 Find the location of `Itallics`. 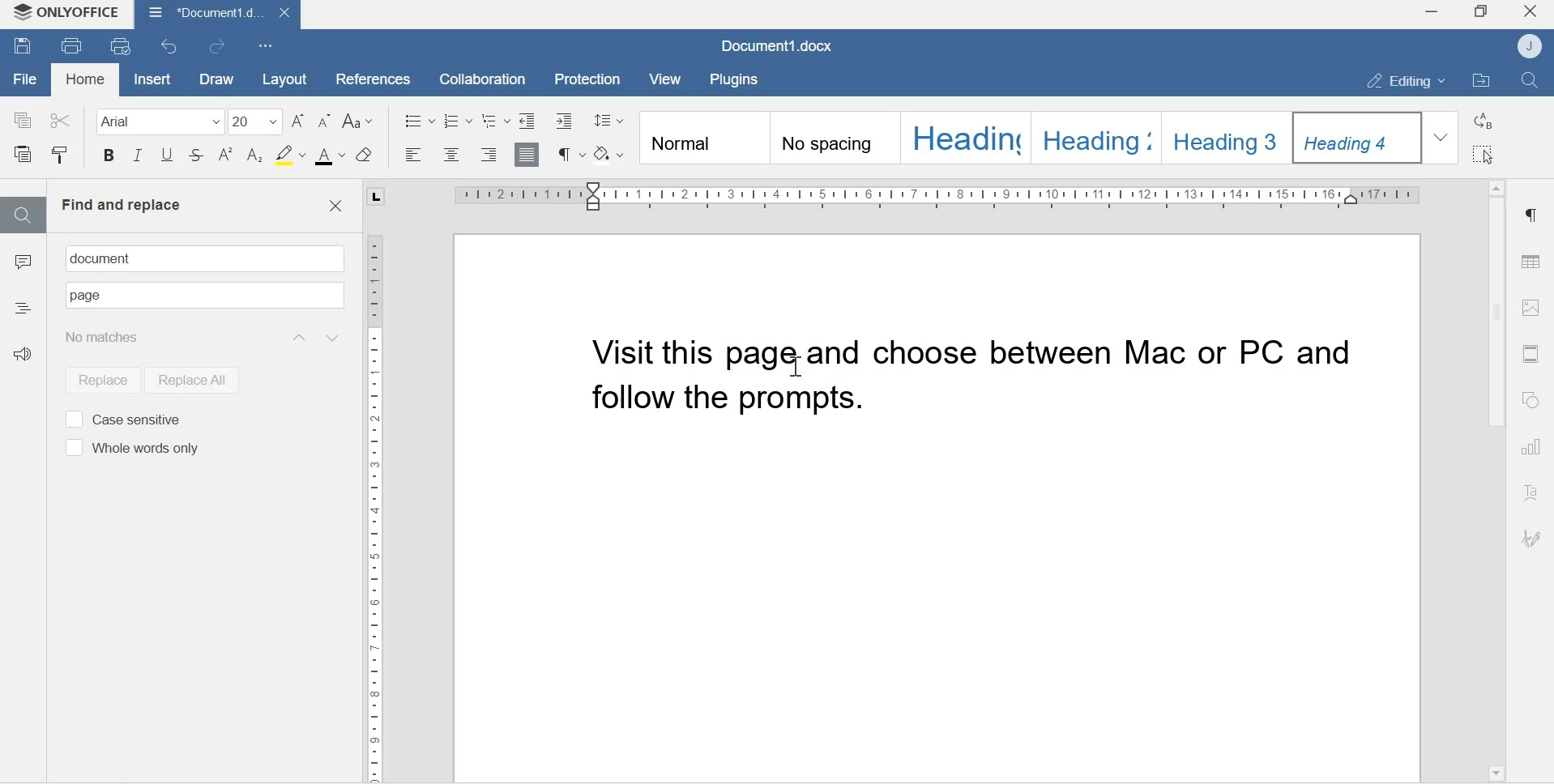

Itallics is located at coordinates (138, 157).